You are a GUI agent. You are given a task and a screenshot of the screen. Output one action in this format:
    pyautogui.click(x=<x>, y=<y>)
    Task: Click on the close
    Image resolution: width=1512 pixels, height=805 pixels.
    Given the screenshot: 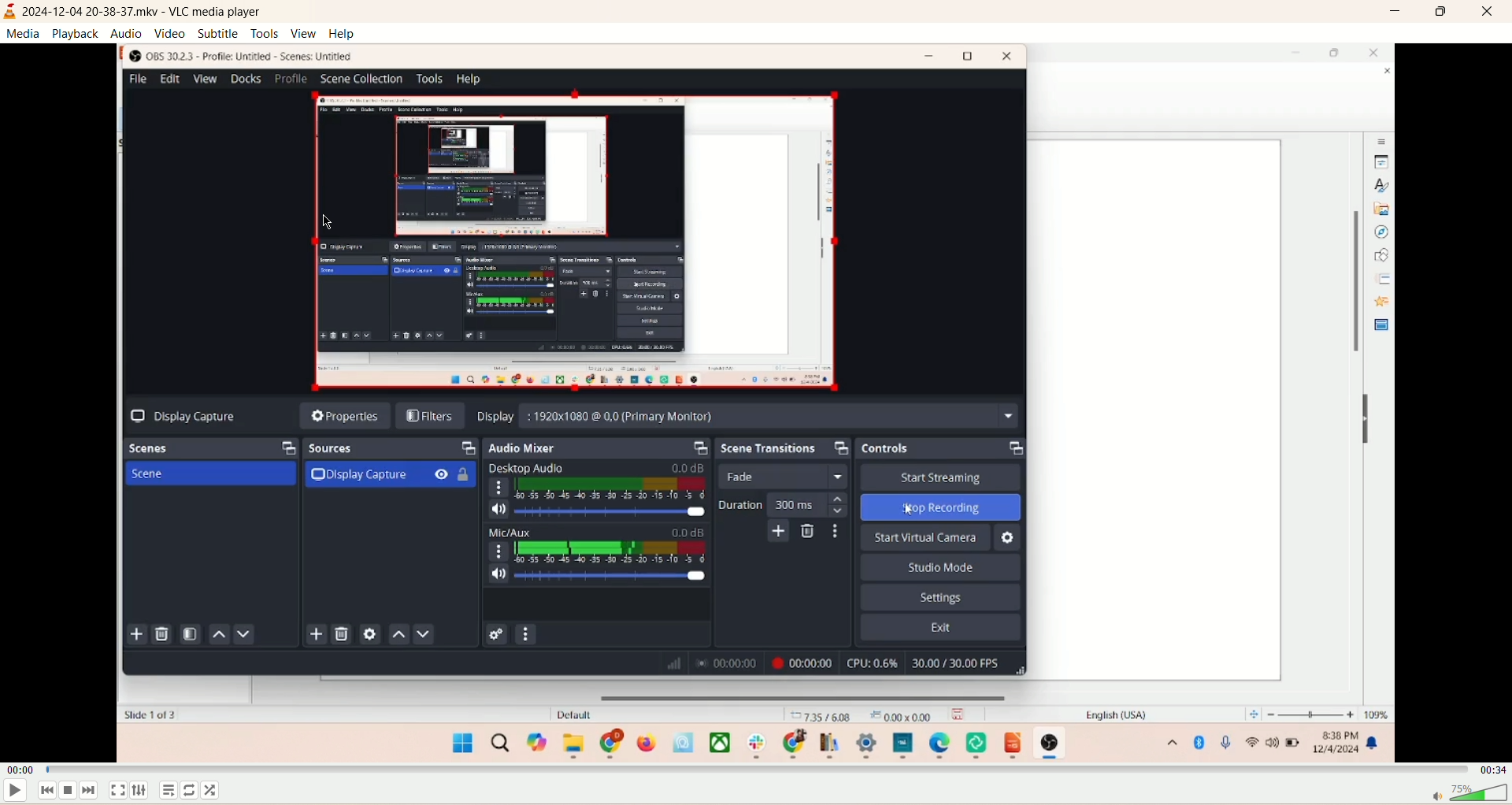 What is the action you would take?
    pyautogui.click(x=1490, y=13)
    